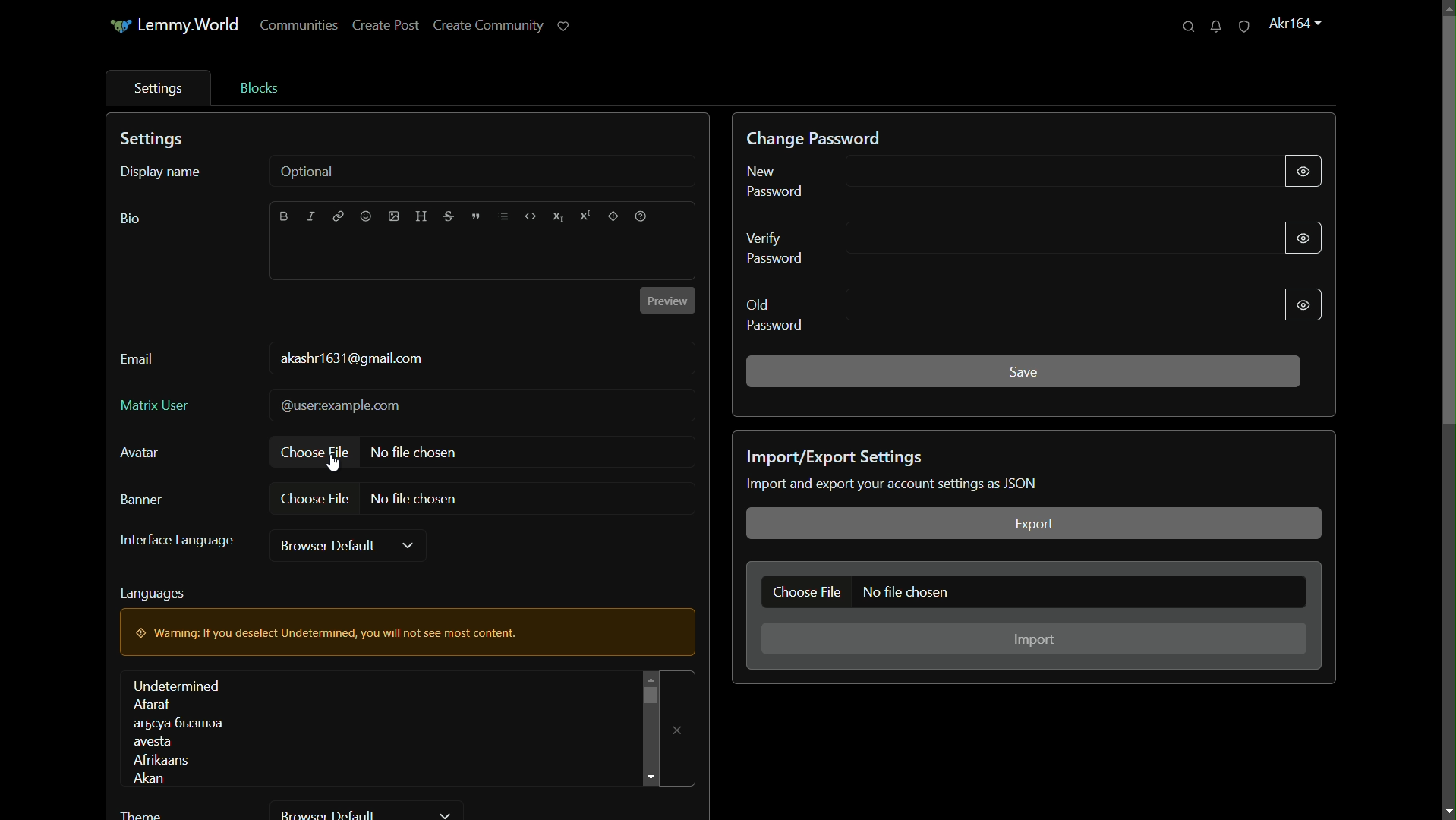  What do you see at coordinates (332, 546) in the screenshot?
I see `browser default` at bounding box center [332, 546].